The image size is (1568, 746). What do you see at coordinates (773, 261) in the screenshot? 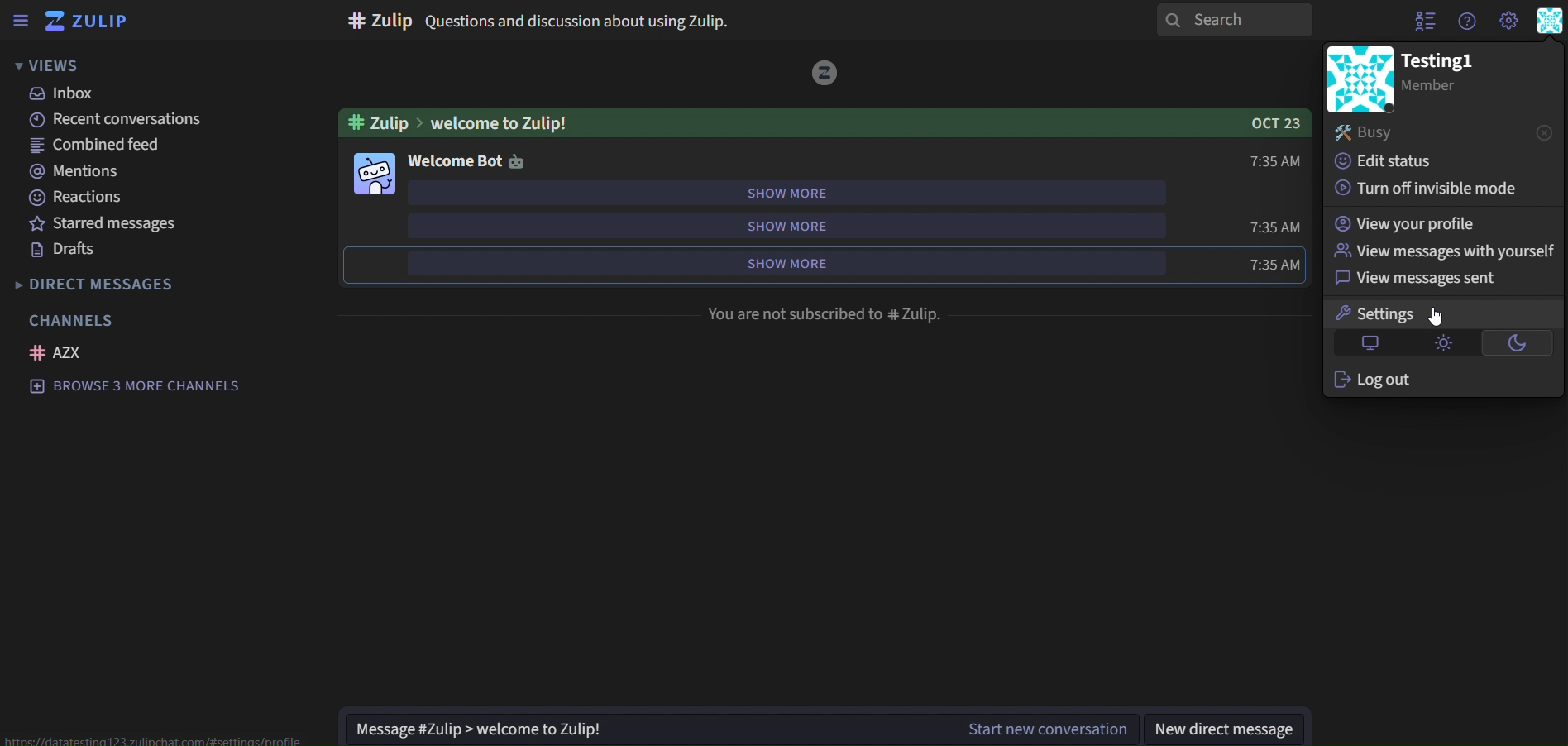
I see `show more` at bounding box center [773, 261].